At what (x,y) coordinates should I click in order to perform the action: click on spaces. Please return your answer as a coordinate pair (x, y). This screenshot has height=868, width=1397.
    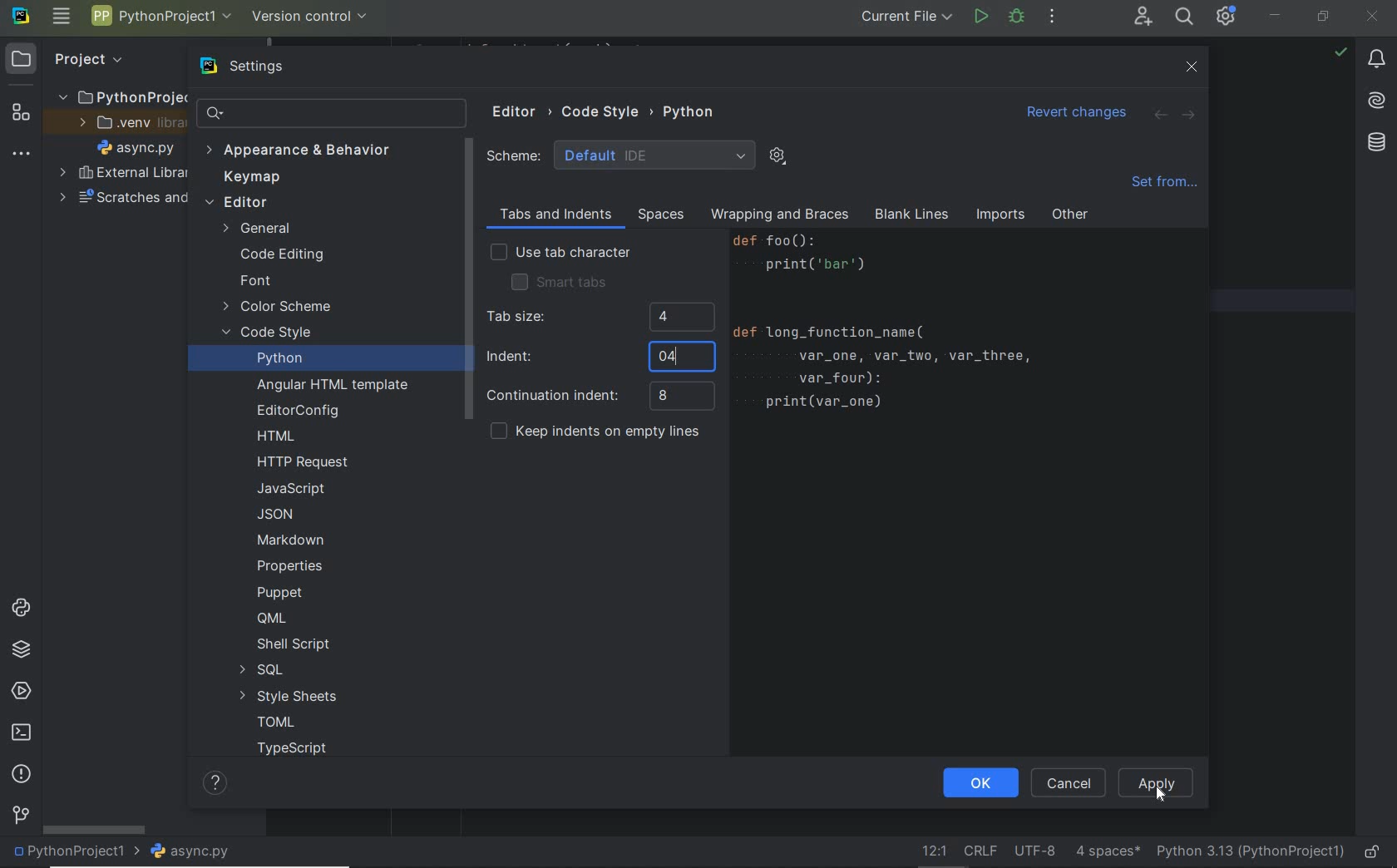
    Looking at the image, I should click on (658, 215).